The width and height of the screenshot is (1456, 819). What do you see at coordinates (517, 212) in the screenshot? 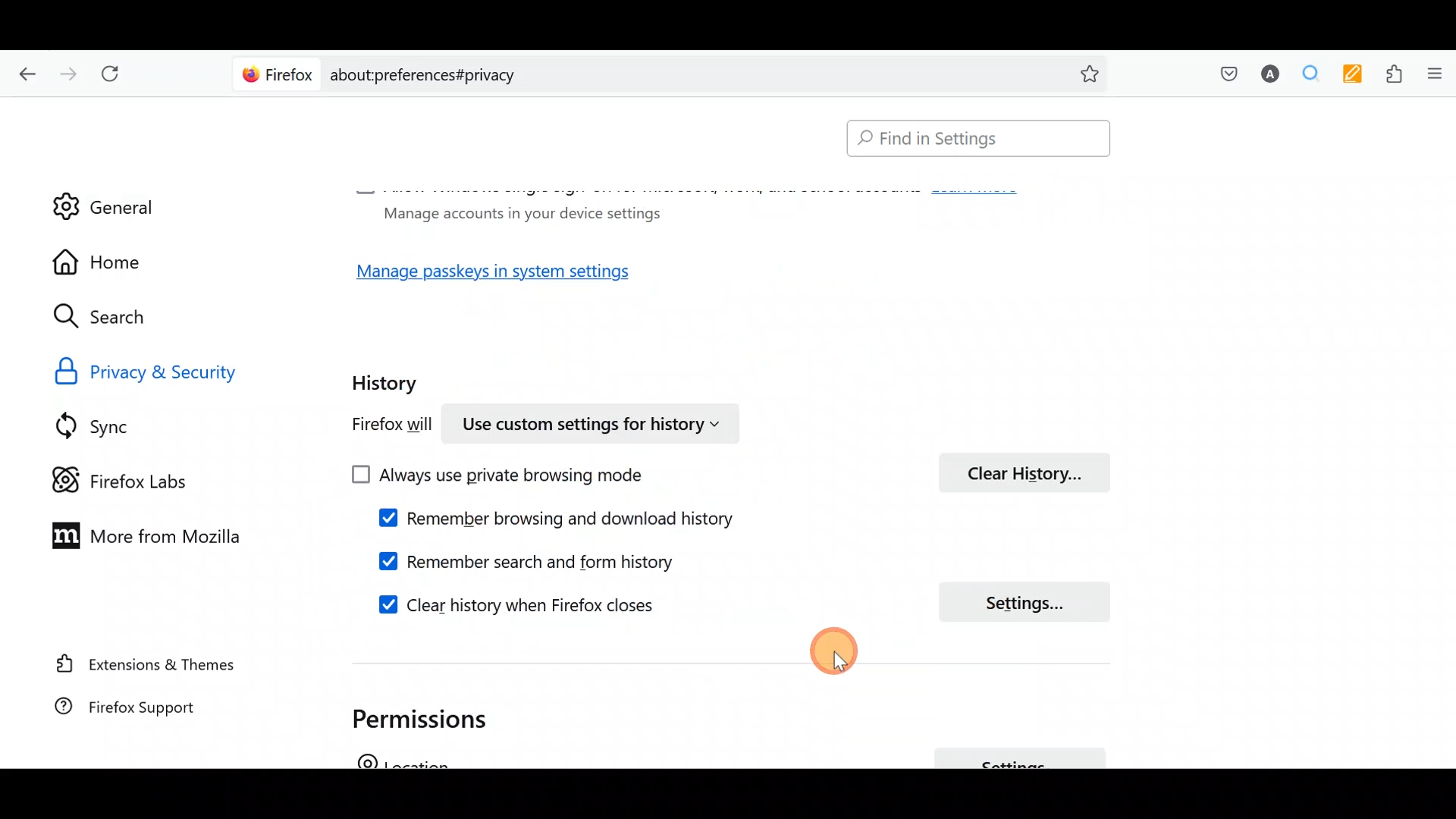
I see `Manage accounts in your device settings` at bounding box center [517, 212].